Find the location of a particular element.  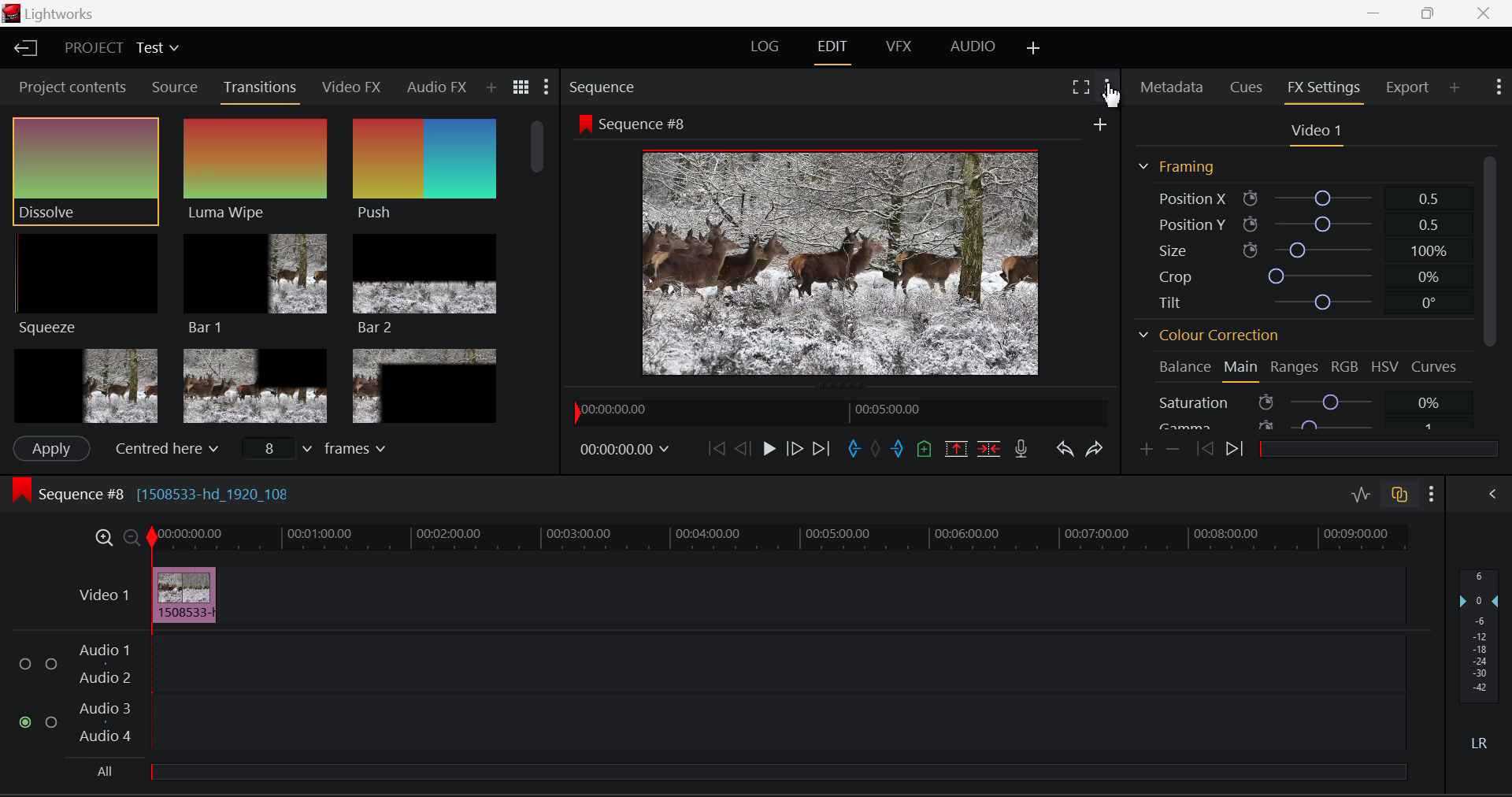

Box 1 is located at coordinates (84, 384).